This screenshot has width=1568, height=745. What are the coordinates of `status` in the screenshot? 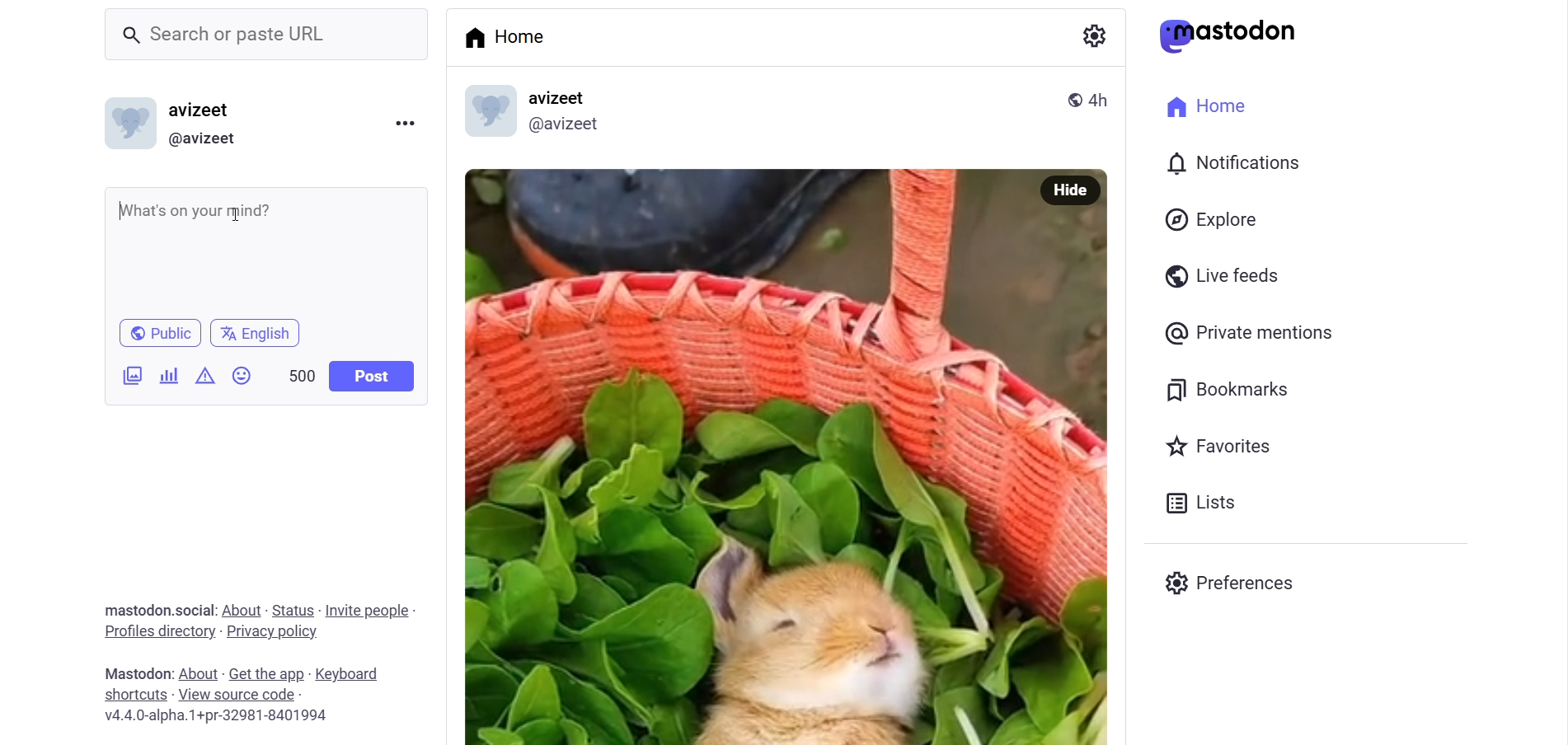 It's located at (293, 610).